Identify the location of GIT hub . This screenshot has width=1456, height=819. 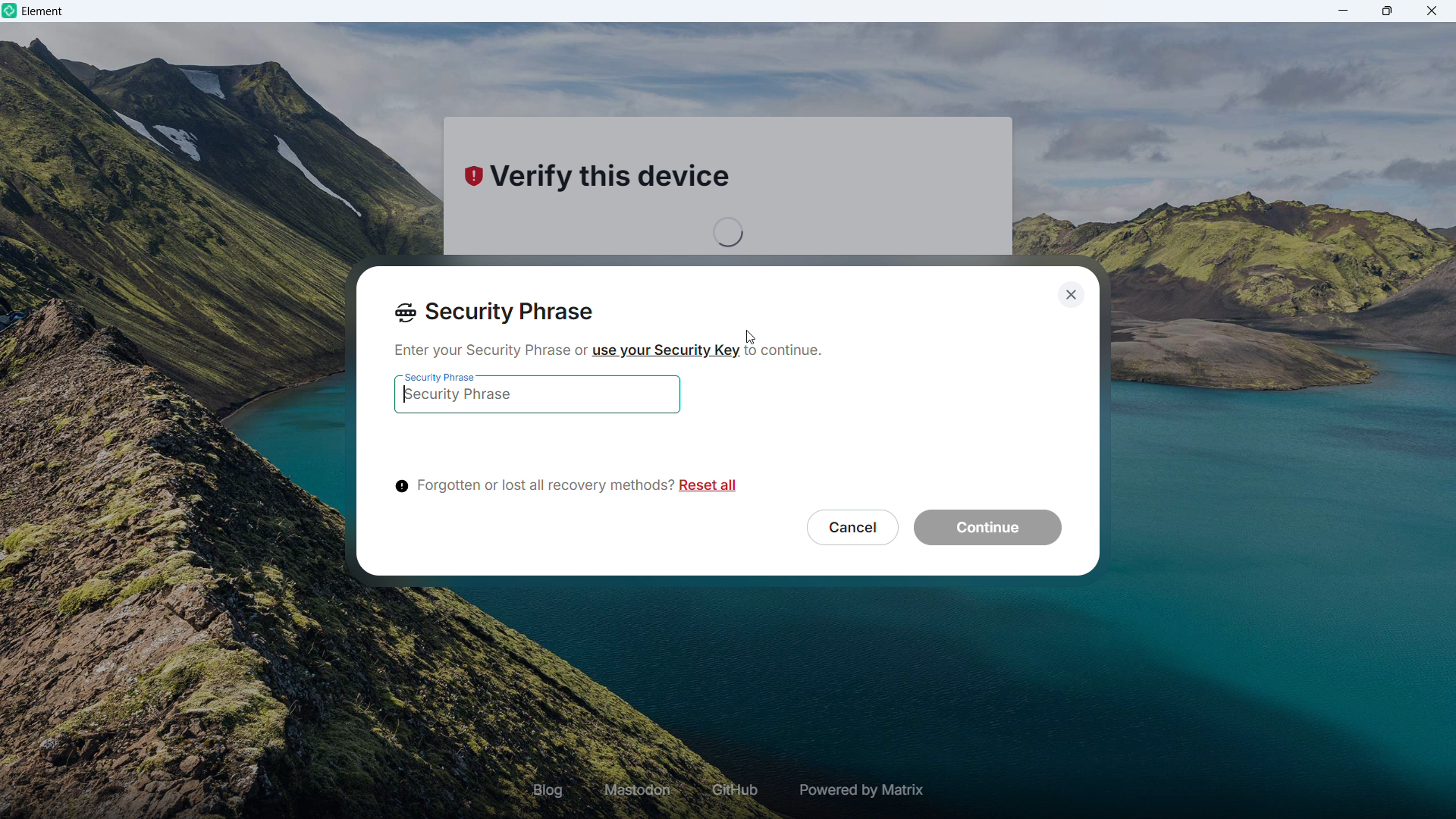
(732, 791).